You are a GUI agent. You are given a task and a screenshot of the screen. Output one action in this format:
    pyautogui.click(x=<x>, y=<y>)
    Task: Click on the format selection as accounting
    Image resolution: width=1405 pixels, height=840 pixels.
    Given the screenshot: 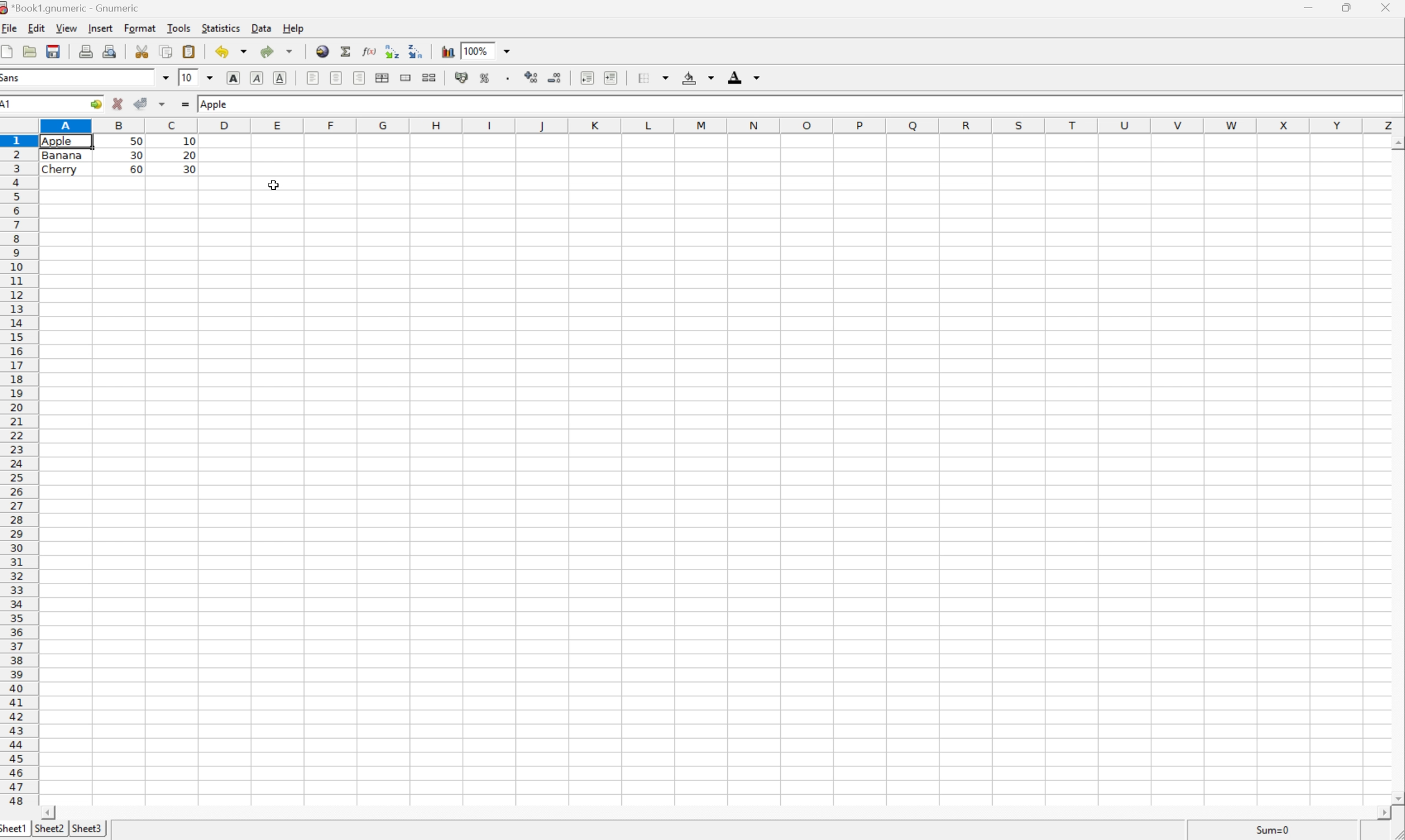 What is the action you would take?
    pyautogui.click(x=462, y=78)
    